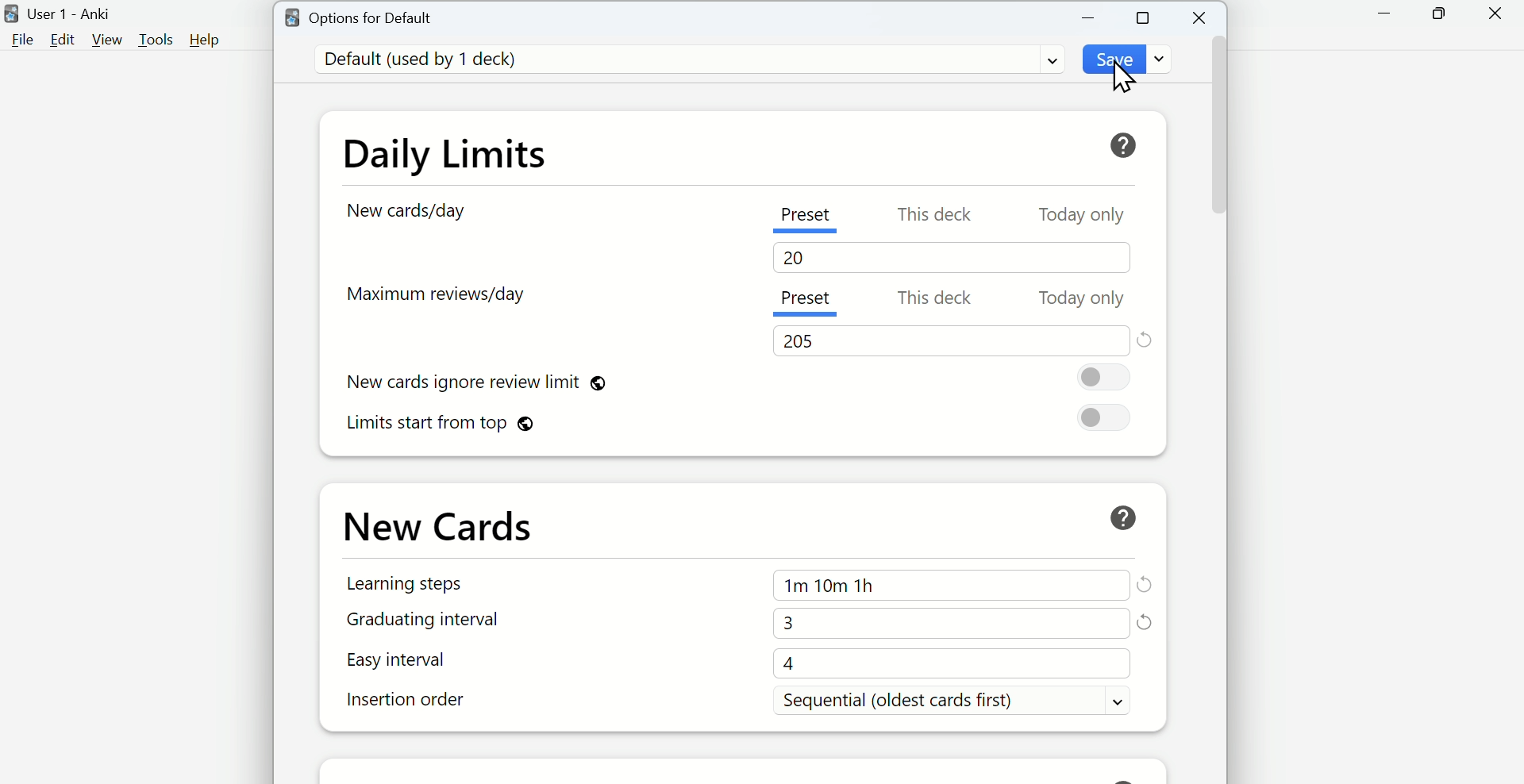 The height and width of the screenshot is (784, 1524). Describe the element at coordinates (202, 40) in the screenshot. I see `Help` at that location.